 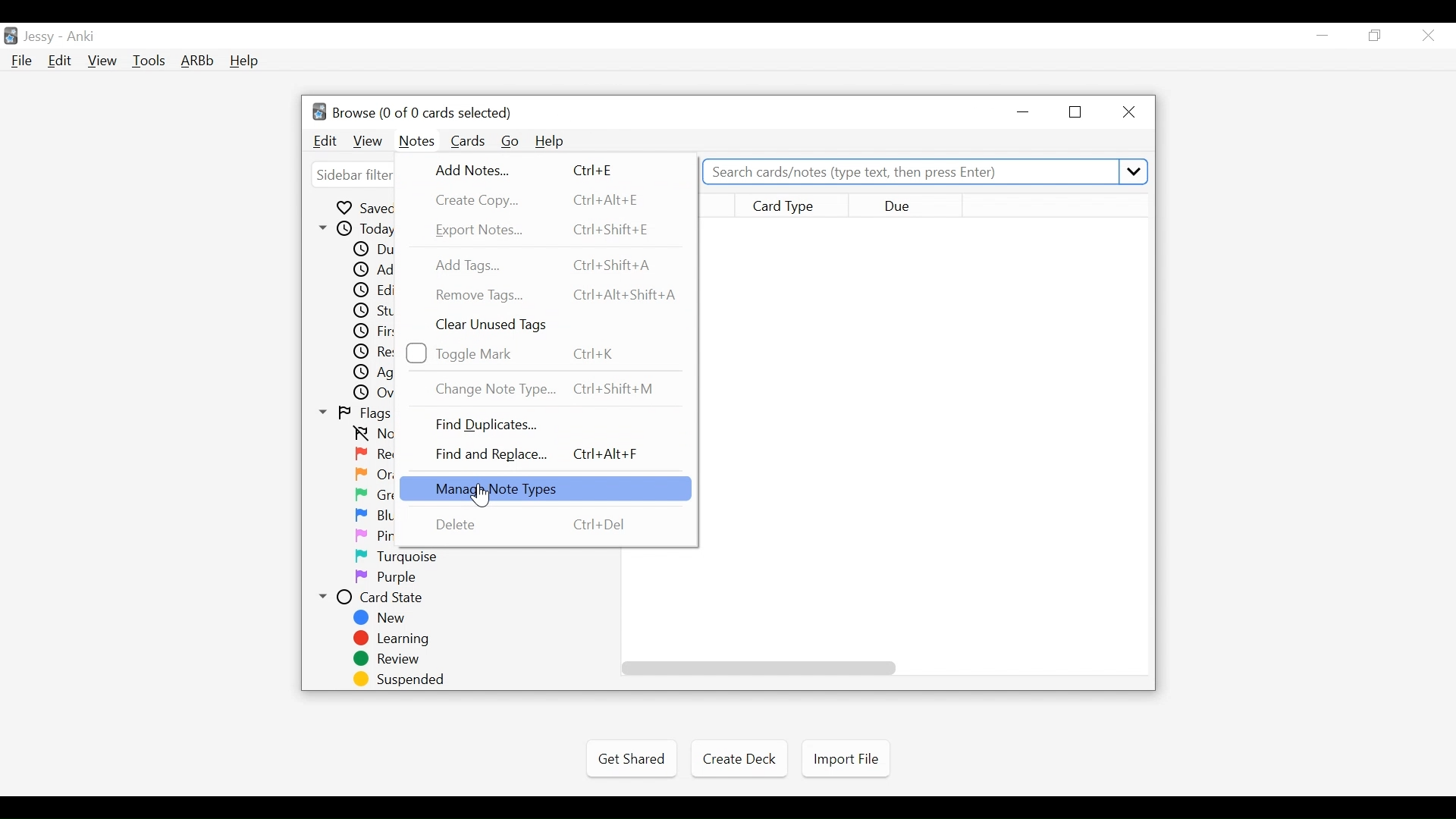 I want to click on Go, so click(x=511, y=142).